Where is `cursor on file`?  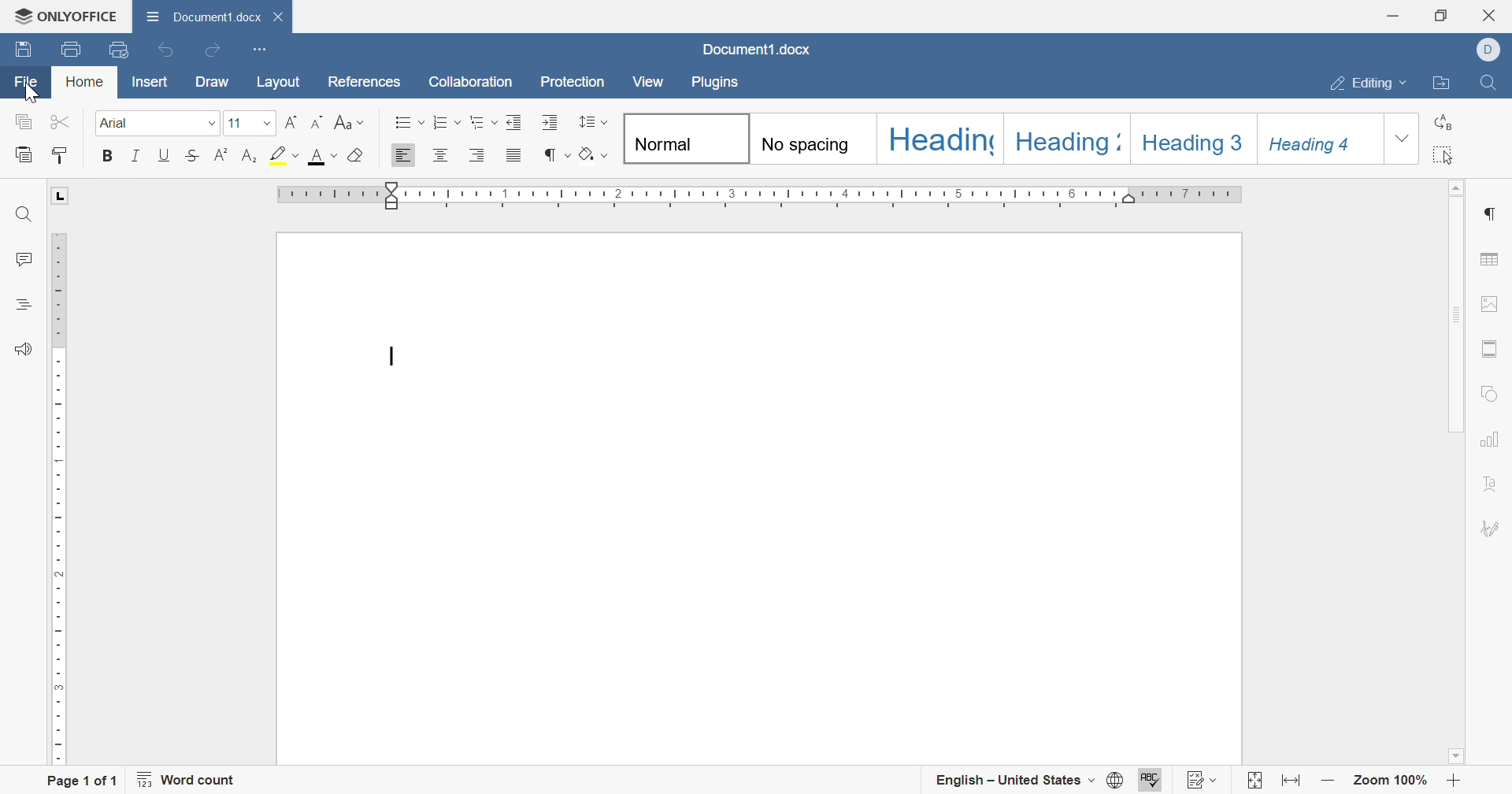 cursor on file is located at coordinates (35, 93).